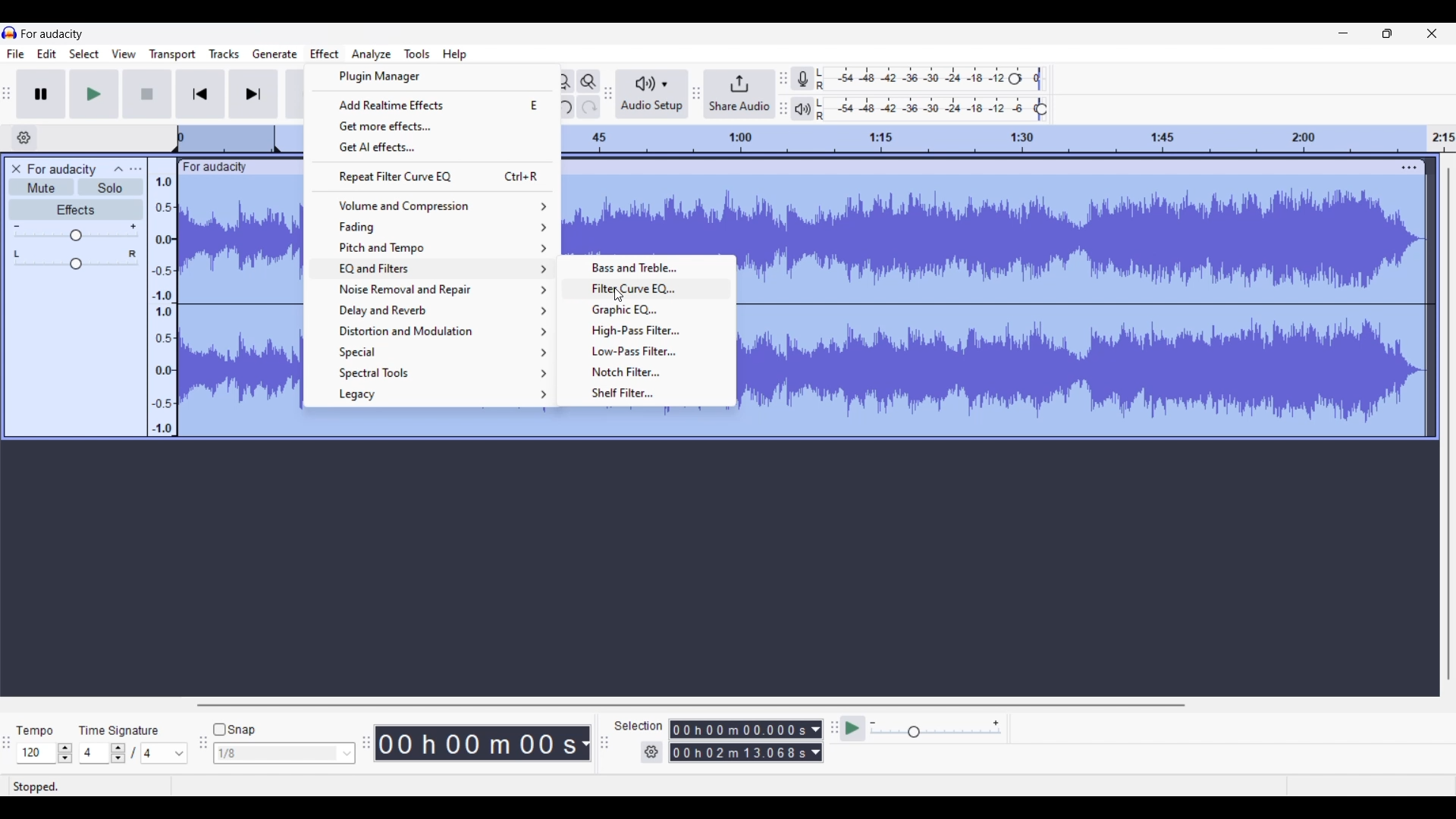 This screenshot has height=819, width=1456. Describe the element at coordinates (215, 168) in the screenshot. I see `Track name` at that location.